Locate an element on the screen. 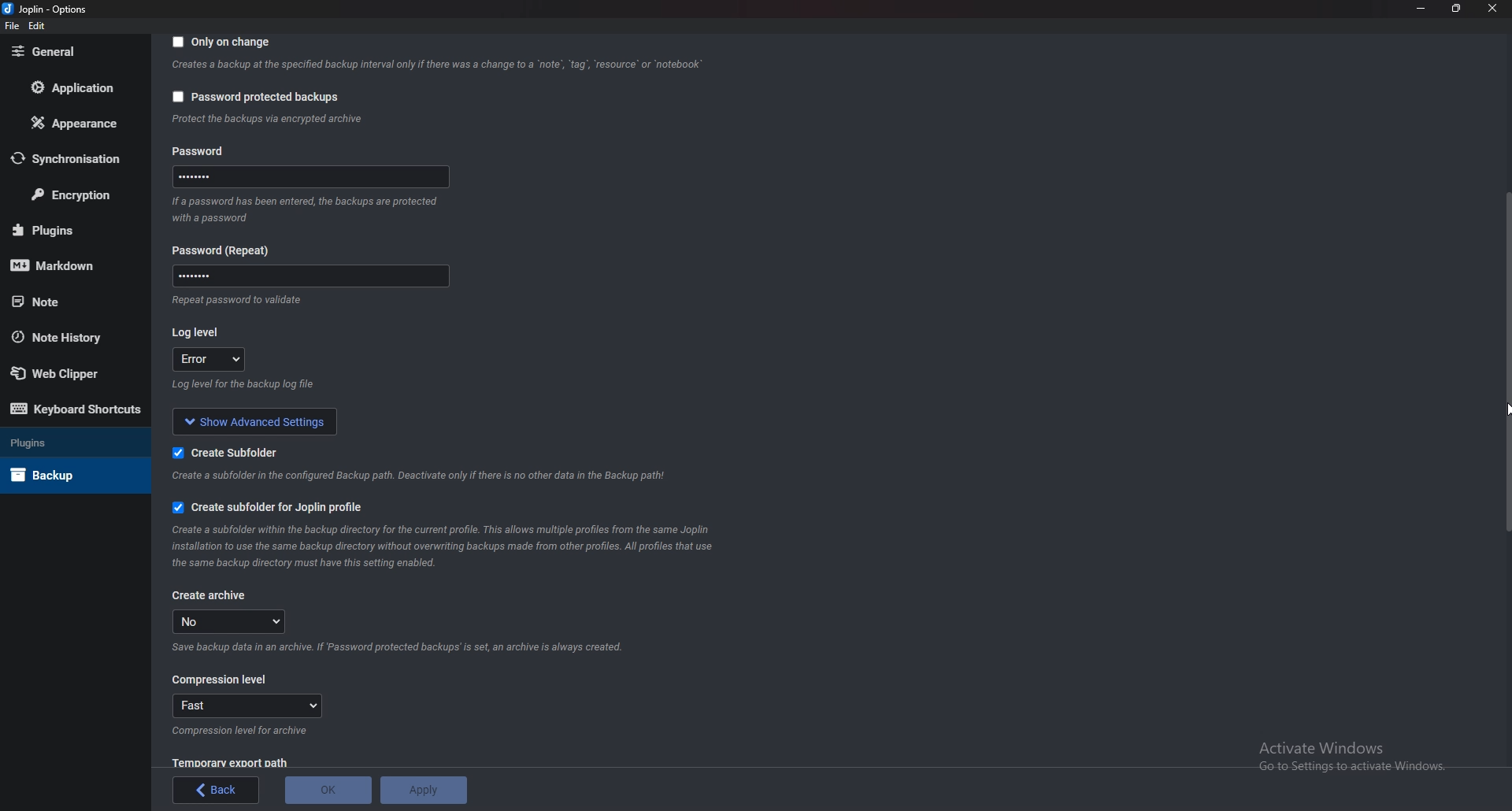  no is located at coordinates (234, 621).